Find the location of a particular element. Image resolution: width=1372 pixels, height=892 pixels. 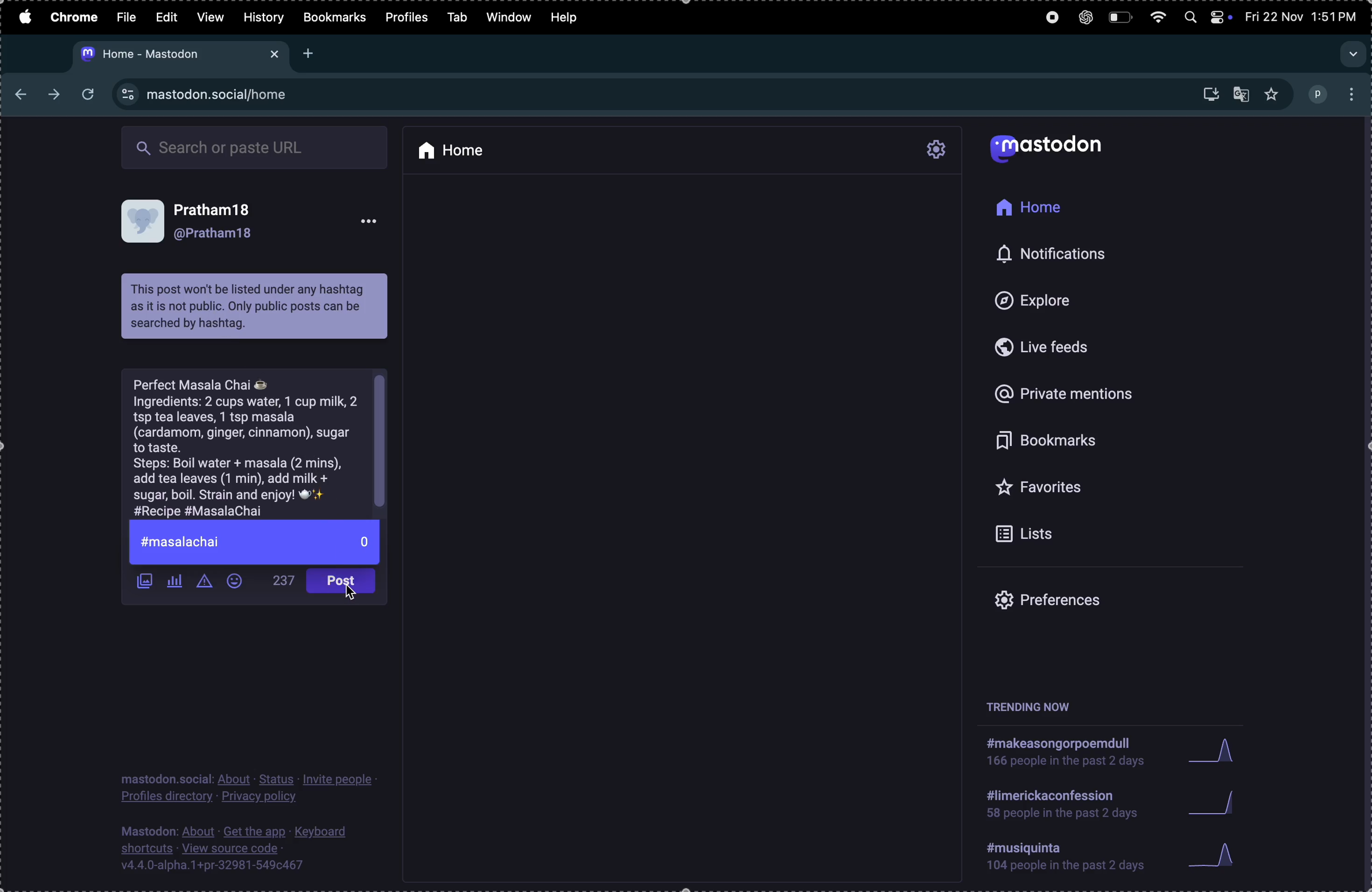

profile privacy is located at coordinates (255, 787).